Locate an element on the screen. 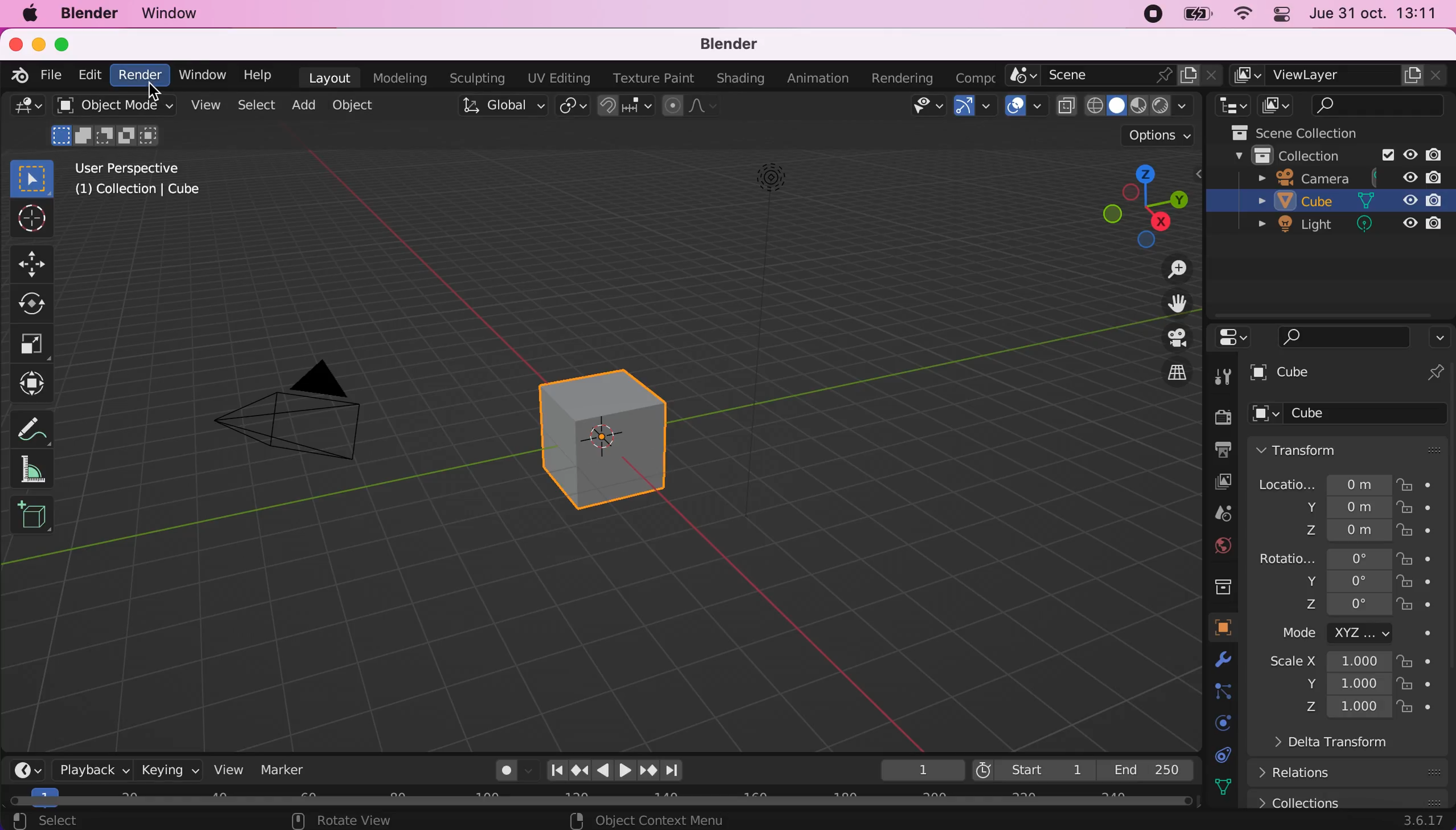 The height and width of the screenshot is (830, 1456). global is located at coordinates (501, 105).